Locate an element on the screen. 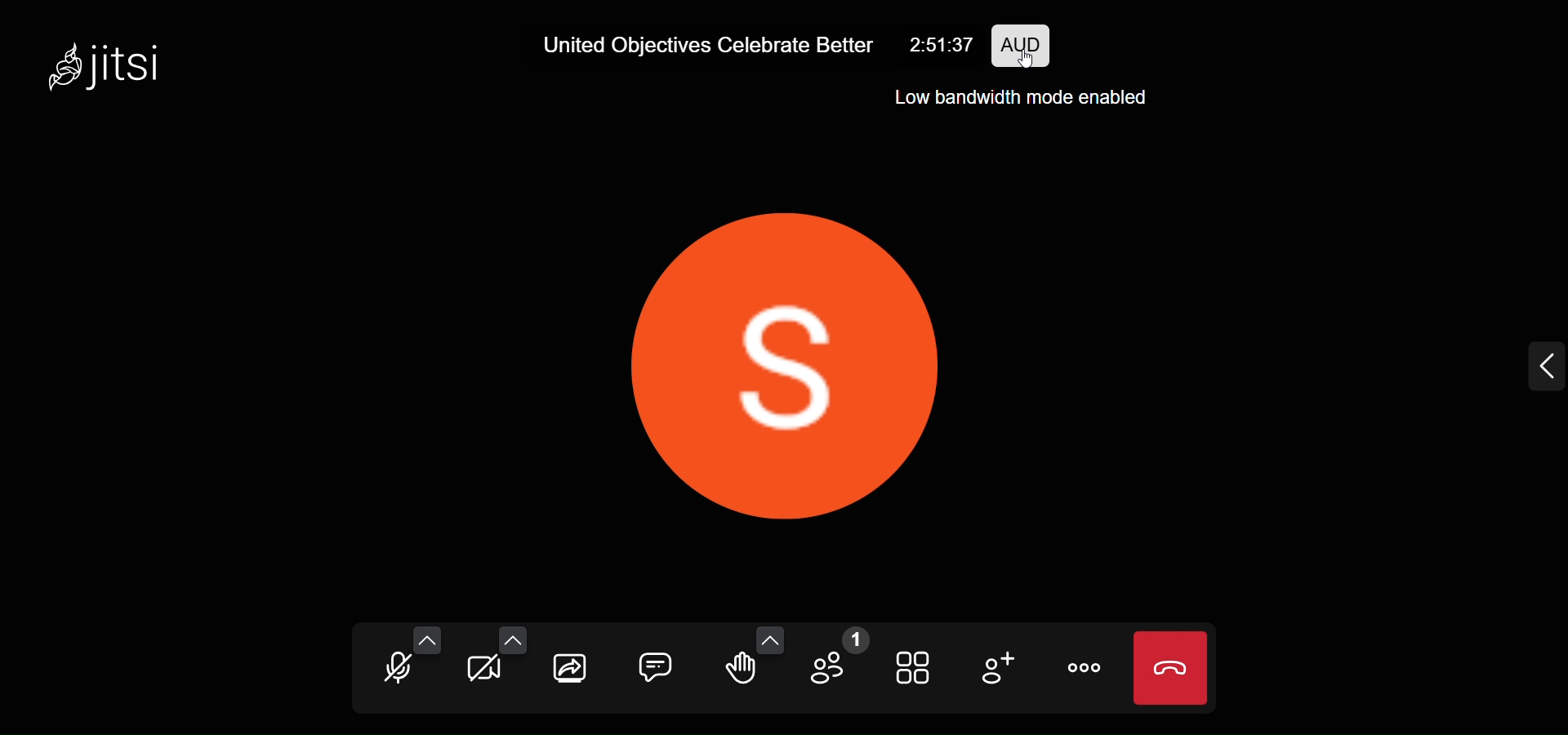  United Objectives Celebrate Better is located at coordinates (707, 47).